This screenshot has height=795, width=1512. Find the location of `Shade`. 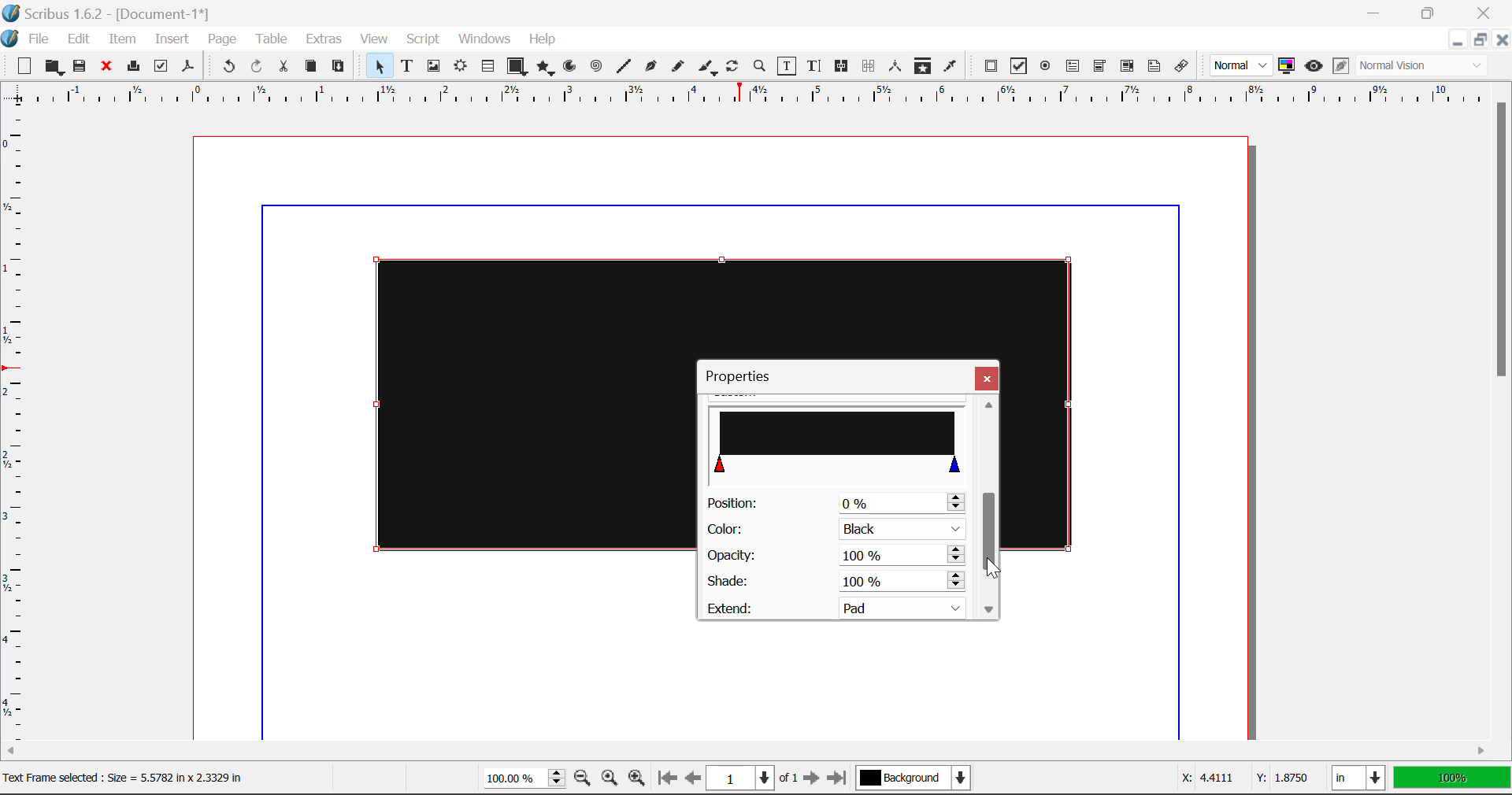

Shade is located at coordinates (833, 582).